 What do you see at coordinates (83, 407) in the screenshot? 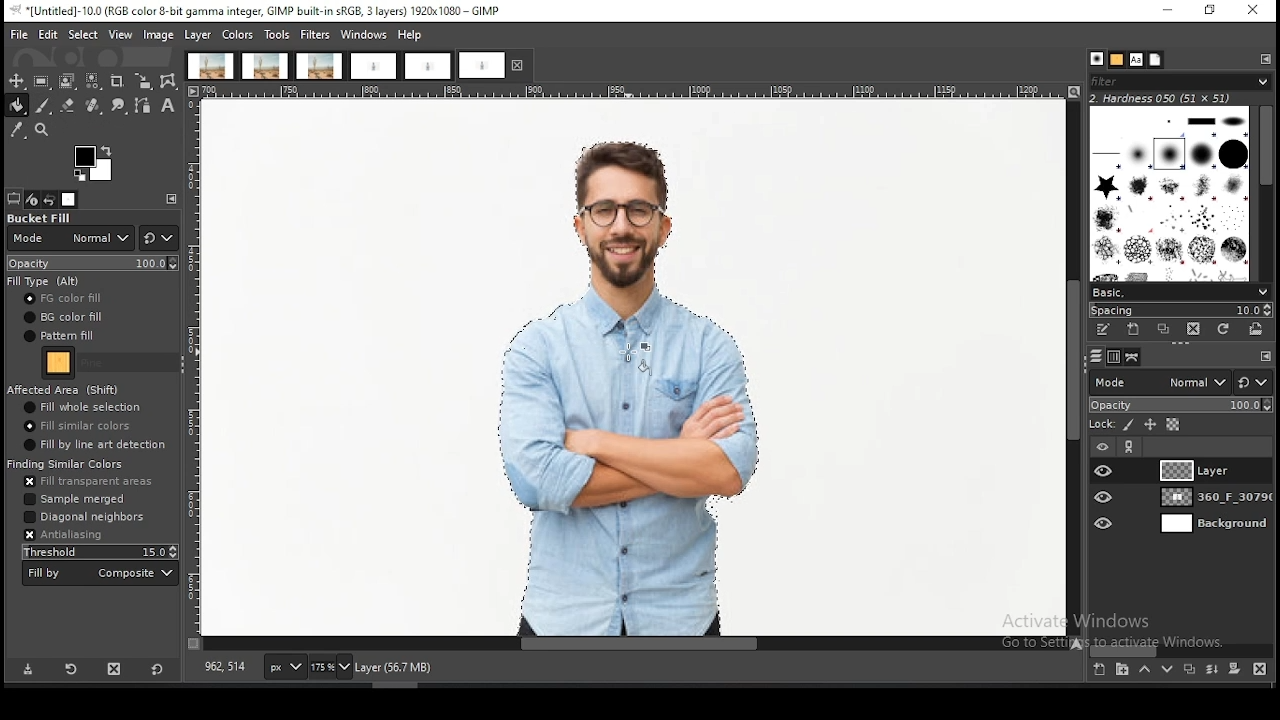
I see `fill whole selection` at bounding box center [83, 407].